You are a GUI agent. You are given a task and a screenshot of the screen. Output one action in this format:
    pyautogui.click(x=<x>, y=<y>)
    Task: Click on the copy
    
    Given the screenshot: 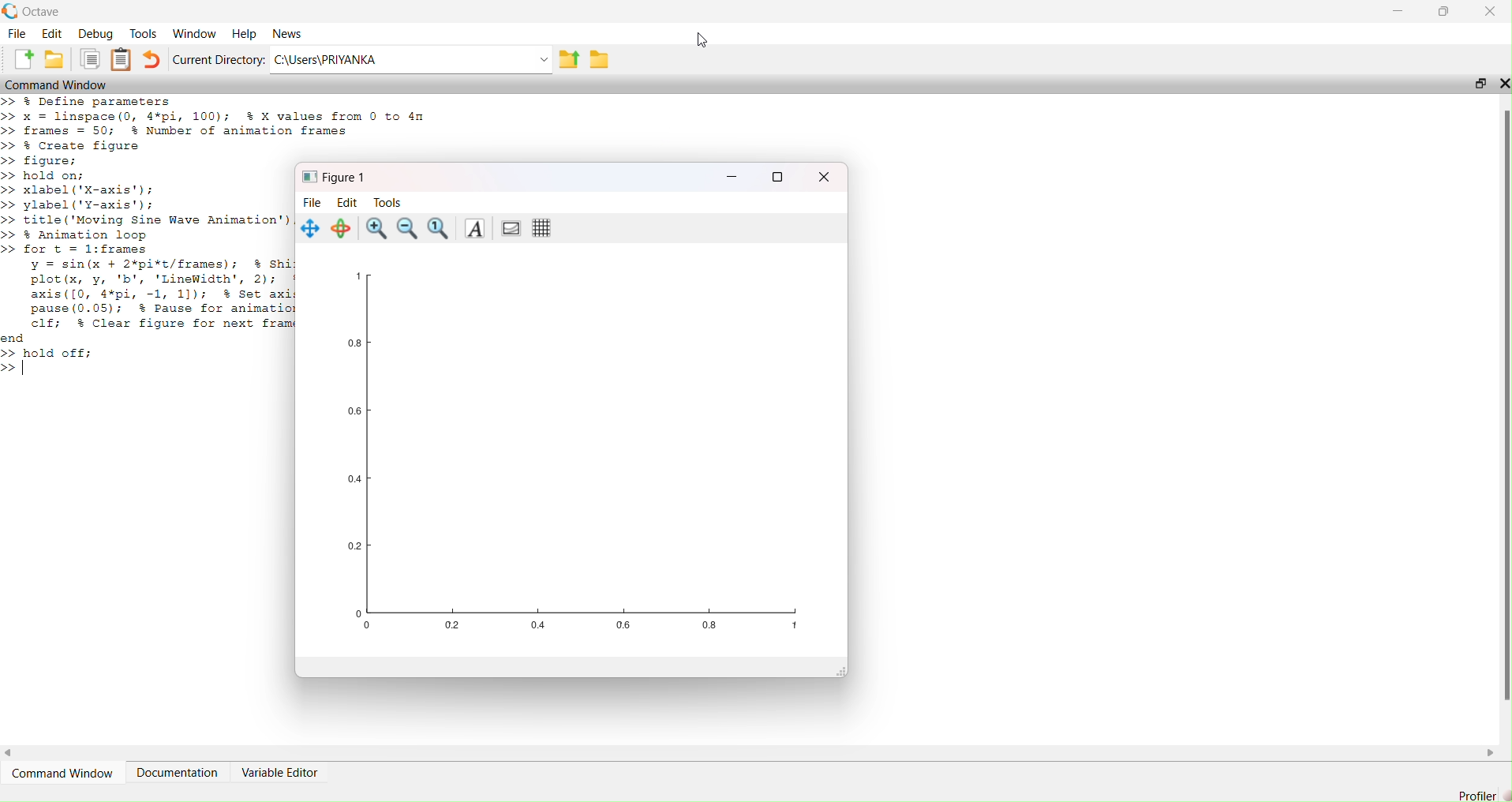 What is the action you would take?
    pyautogui.click(x=86, y=59)
    